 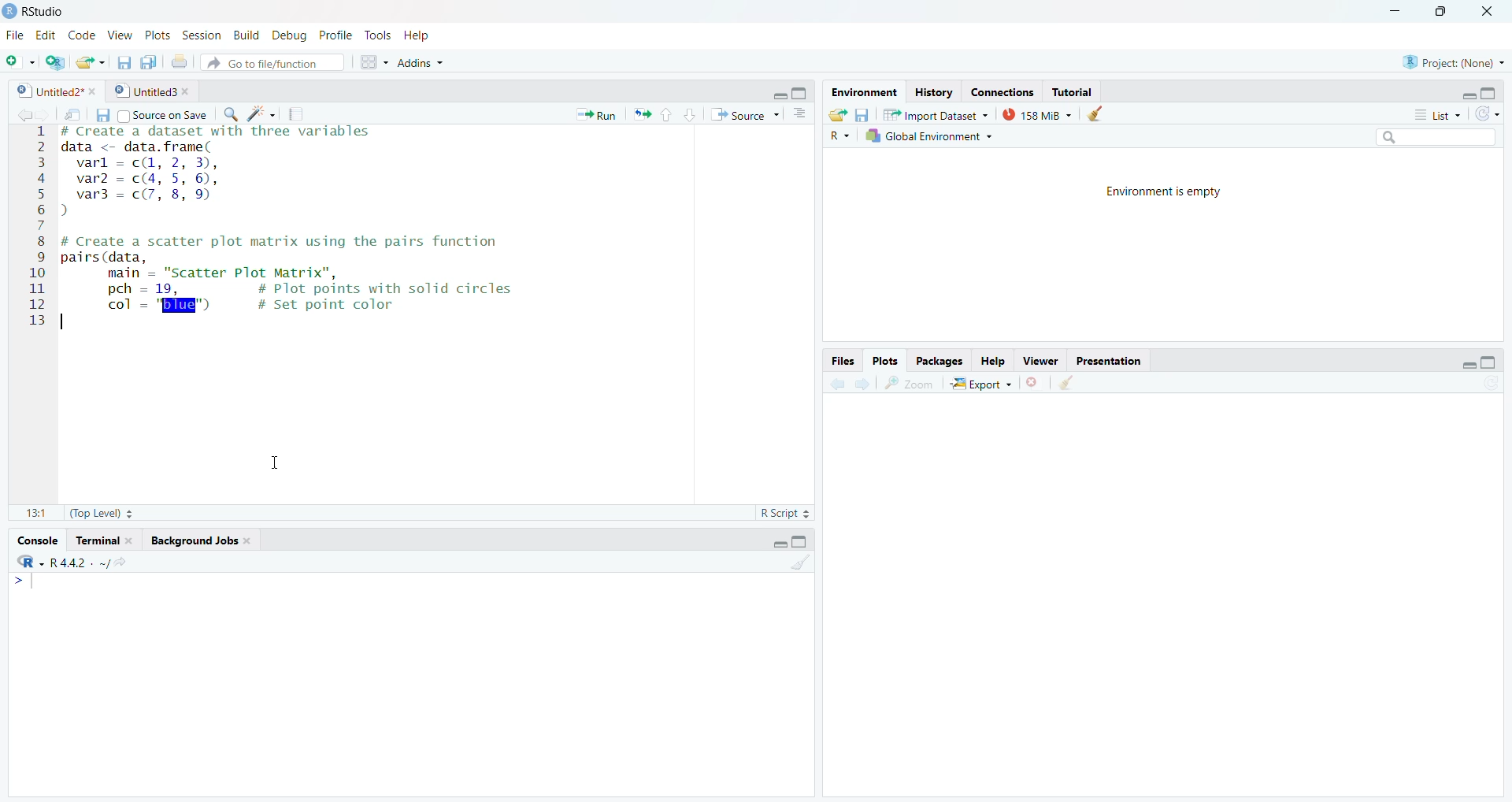 What do you see at coordinates (1077, 90) in the screenshot?
I see `Tutorial` at bounding box center [1077, 90].